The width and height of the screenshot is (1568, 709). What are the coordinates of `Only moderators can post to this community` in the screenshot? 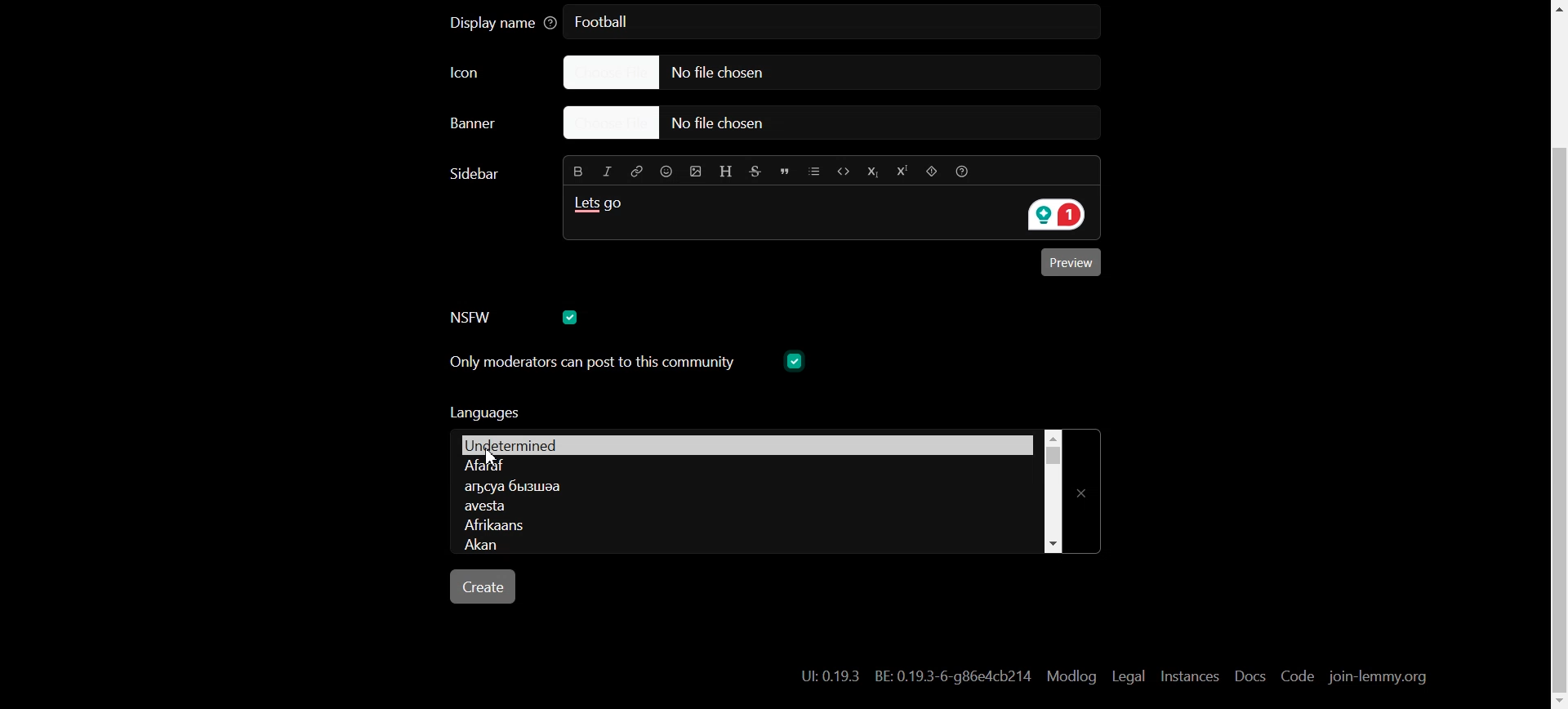 It's located at (628, 418).